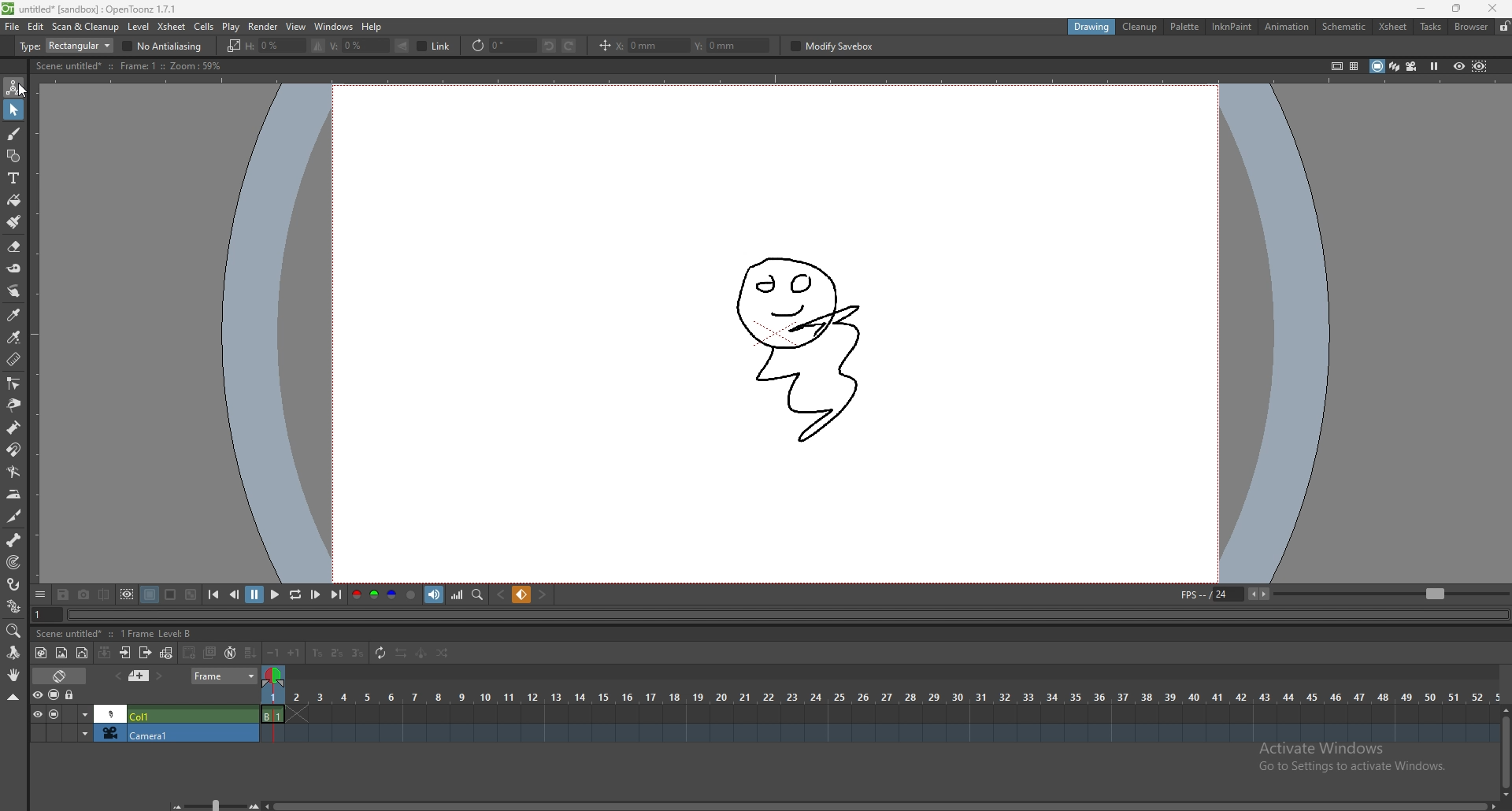 The image size is (1512, 811). What do you see at coordinates (230, 652) in the screenshot?
I see `auto input cell number` at bounding box center [230, 652].